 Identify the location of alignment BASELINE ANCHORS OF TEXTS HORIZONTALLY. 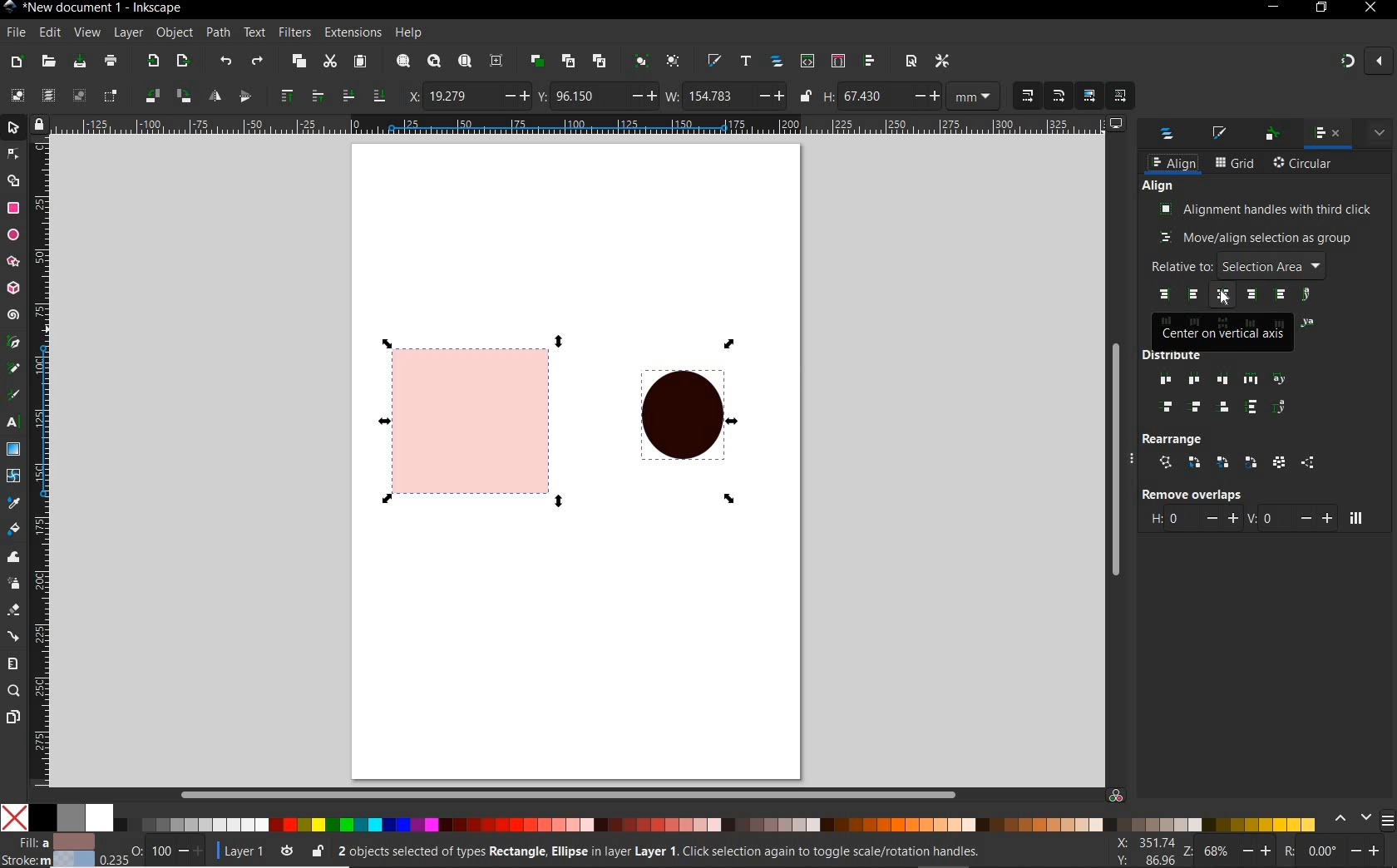
(1309, 295).